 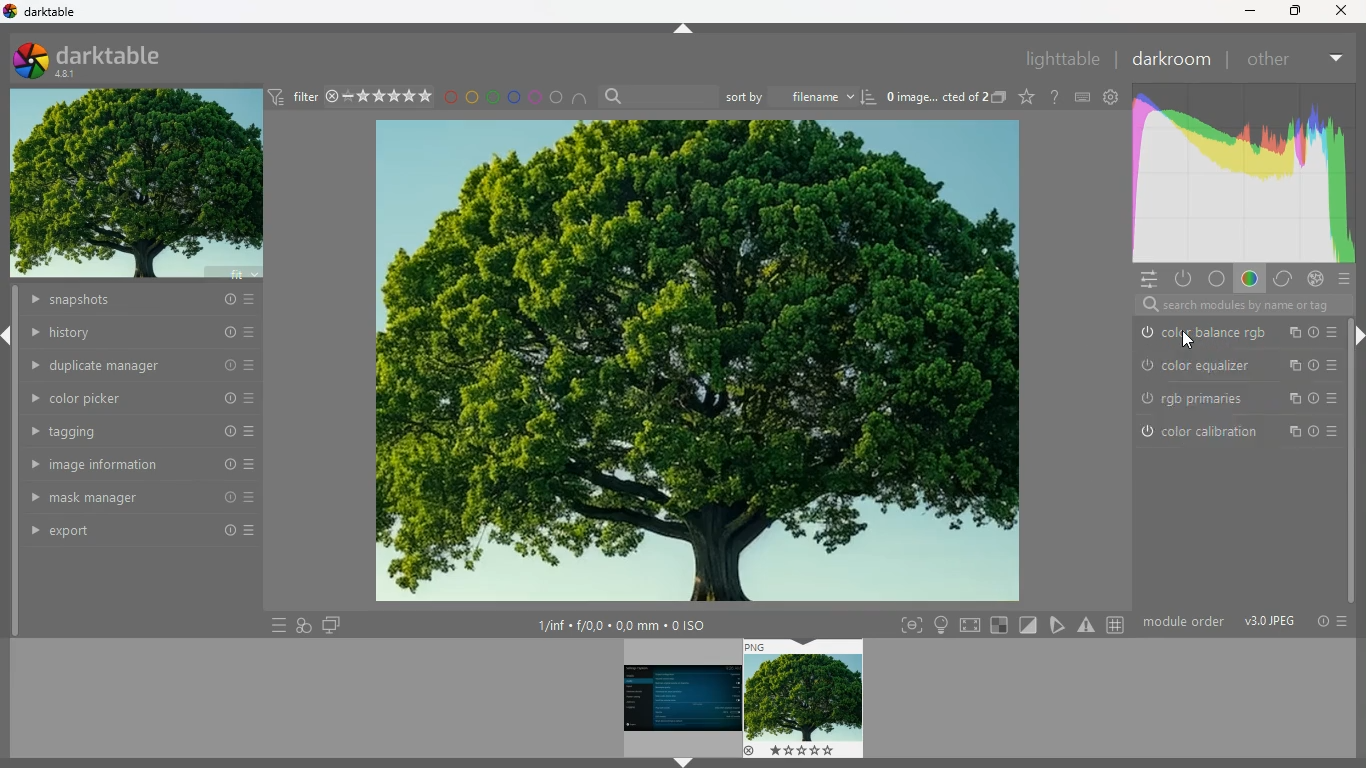 I want to click on lighttable, so click(x=1060, y=58).